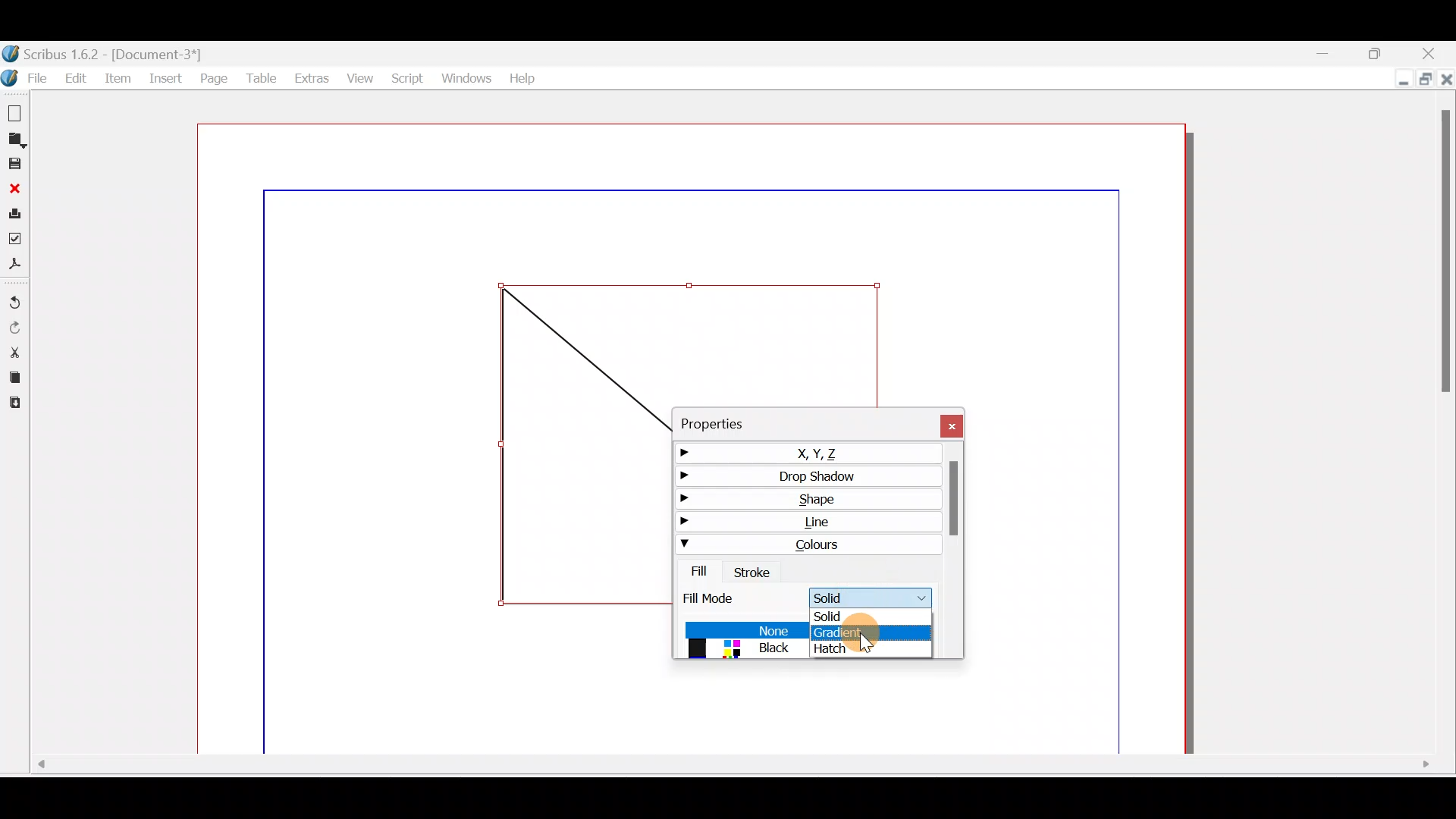 The height and width of the screenshot is (819, 1456). What do you see at coordinates (952, 422) in the screenshot?
I see `Close` at bounding box center [952, 422].